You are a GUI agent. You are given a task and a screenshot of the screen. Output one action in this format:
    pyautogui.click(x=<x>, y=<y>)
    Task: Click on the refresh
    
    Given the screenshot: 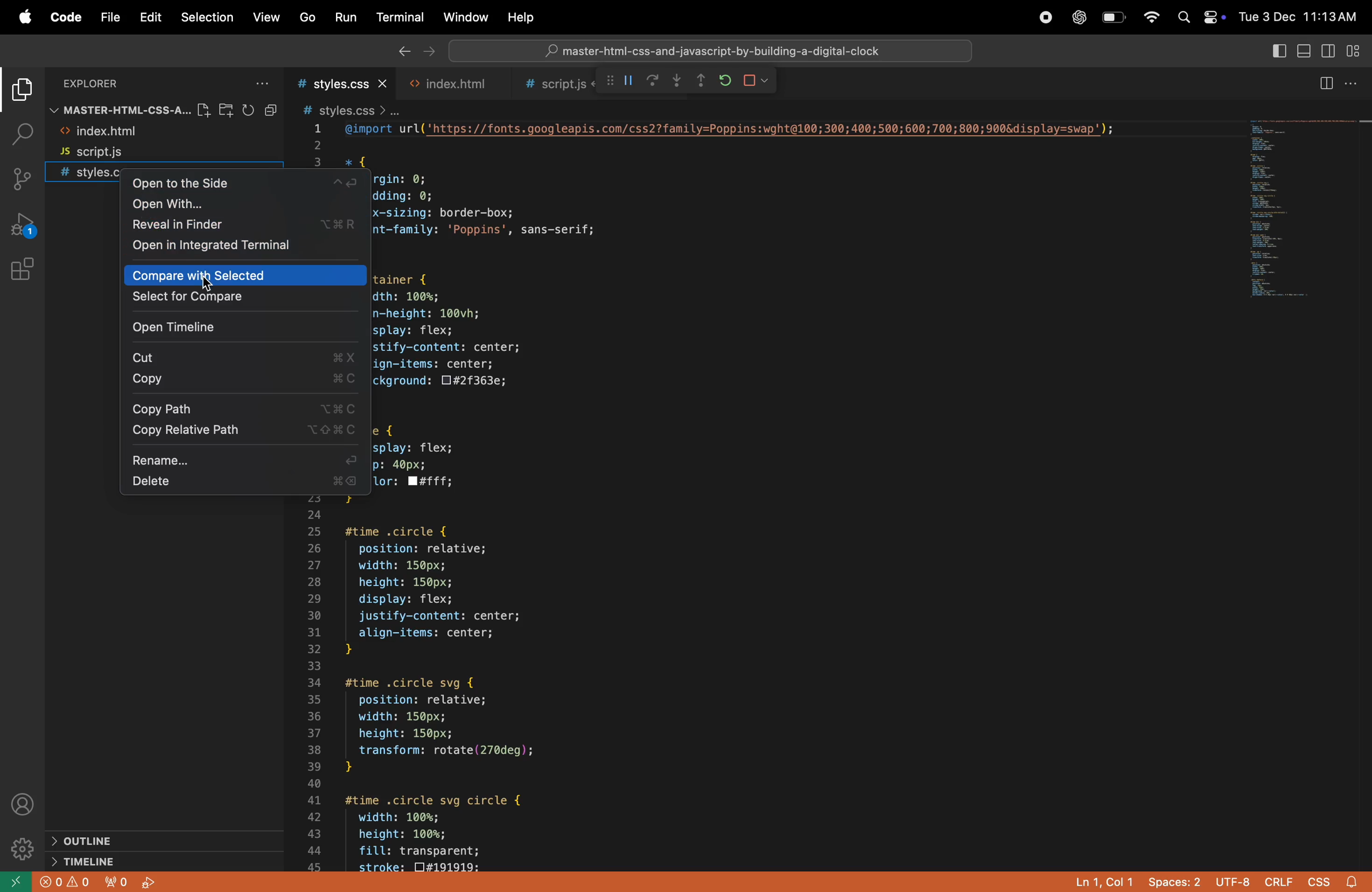 What is the action you would take?
    pyautogui.click(x=721, y=81)
    